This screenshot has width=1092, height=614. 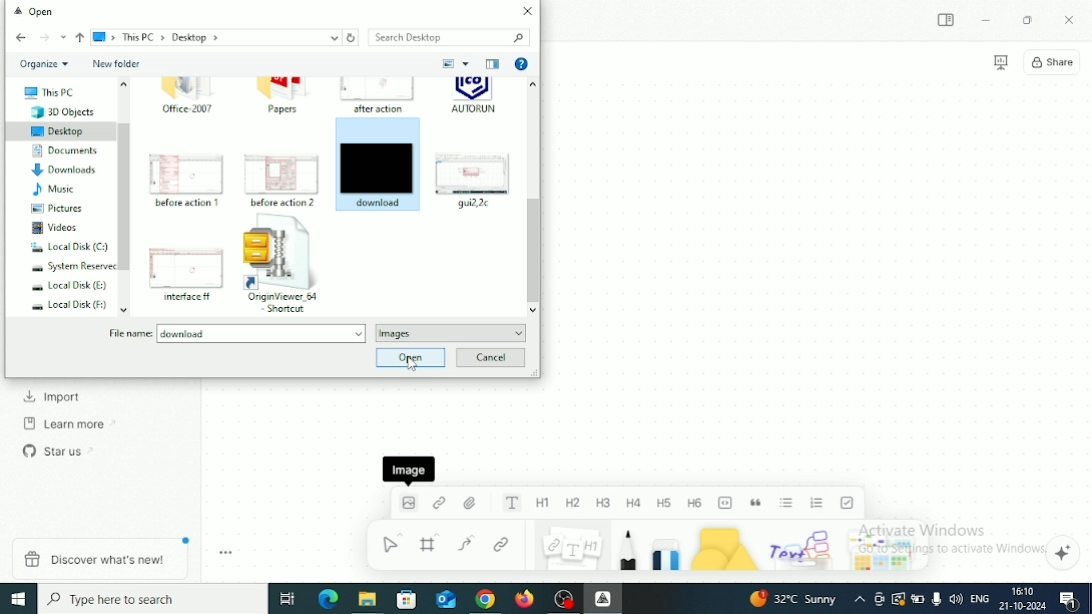 I want to click on interface ff, so click(x=187, y=275).